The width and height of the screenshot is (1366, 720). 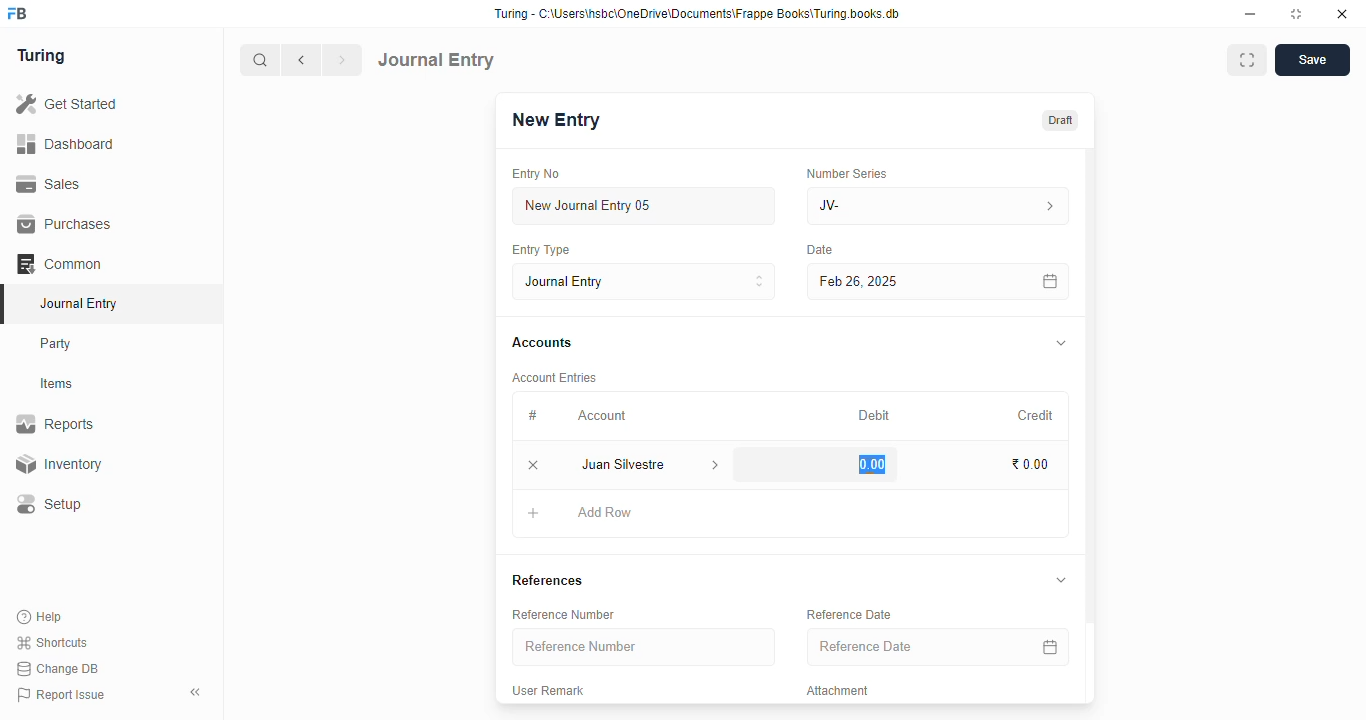 I want to click on add, so click(x=534, y=516).